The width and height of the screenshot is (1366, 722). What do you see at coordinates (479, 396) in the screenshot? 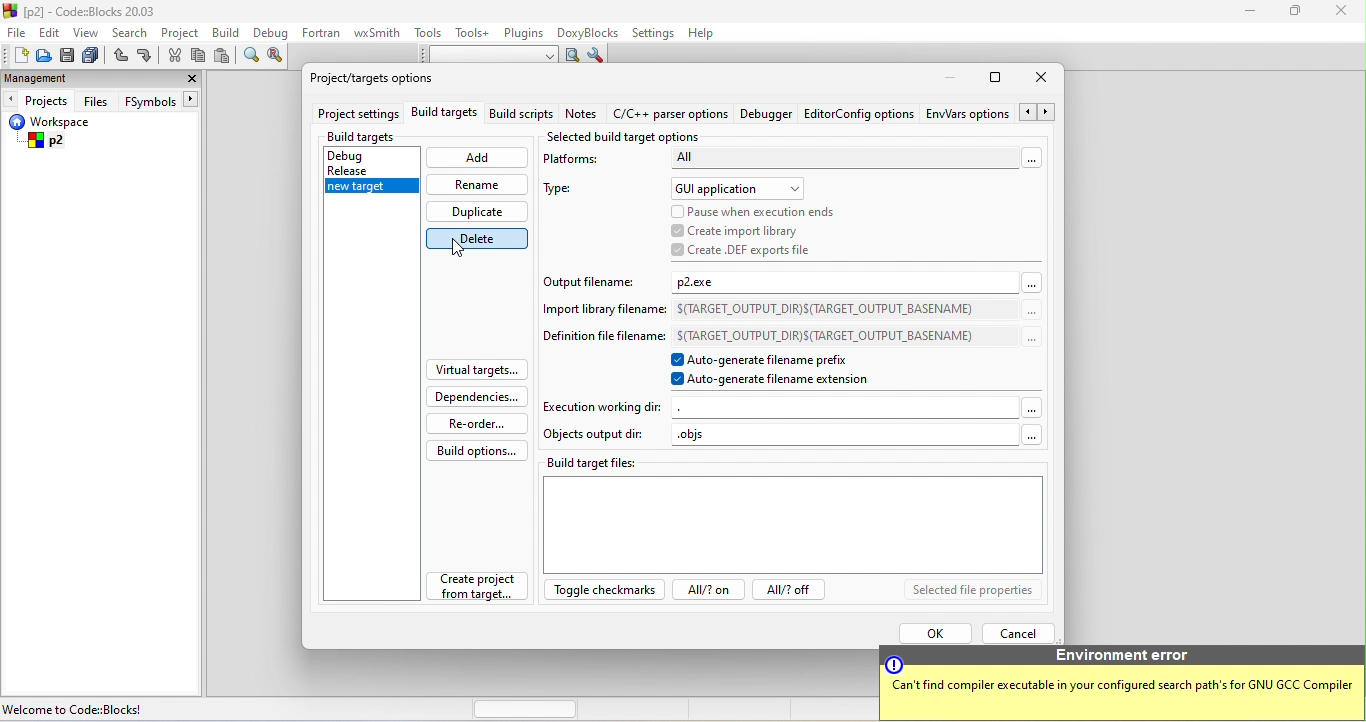
I see `dependencies` at bounding box center [479, 396].